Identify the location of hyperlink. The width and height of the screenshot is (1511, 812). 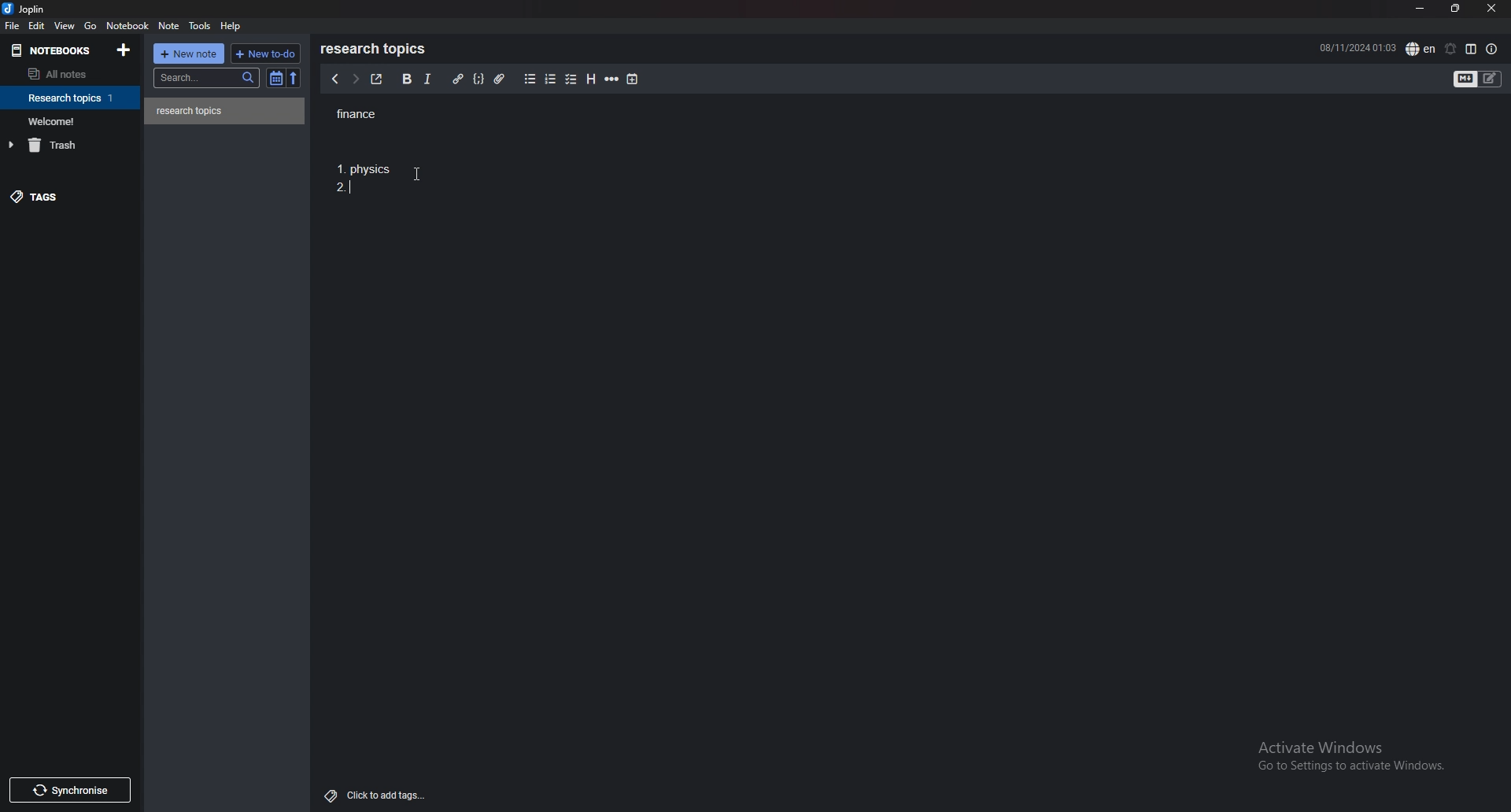
(457, 79).